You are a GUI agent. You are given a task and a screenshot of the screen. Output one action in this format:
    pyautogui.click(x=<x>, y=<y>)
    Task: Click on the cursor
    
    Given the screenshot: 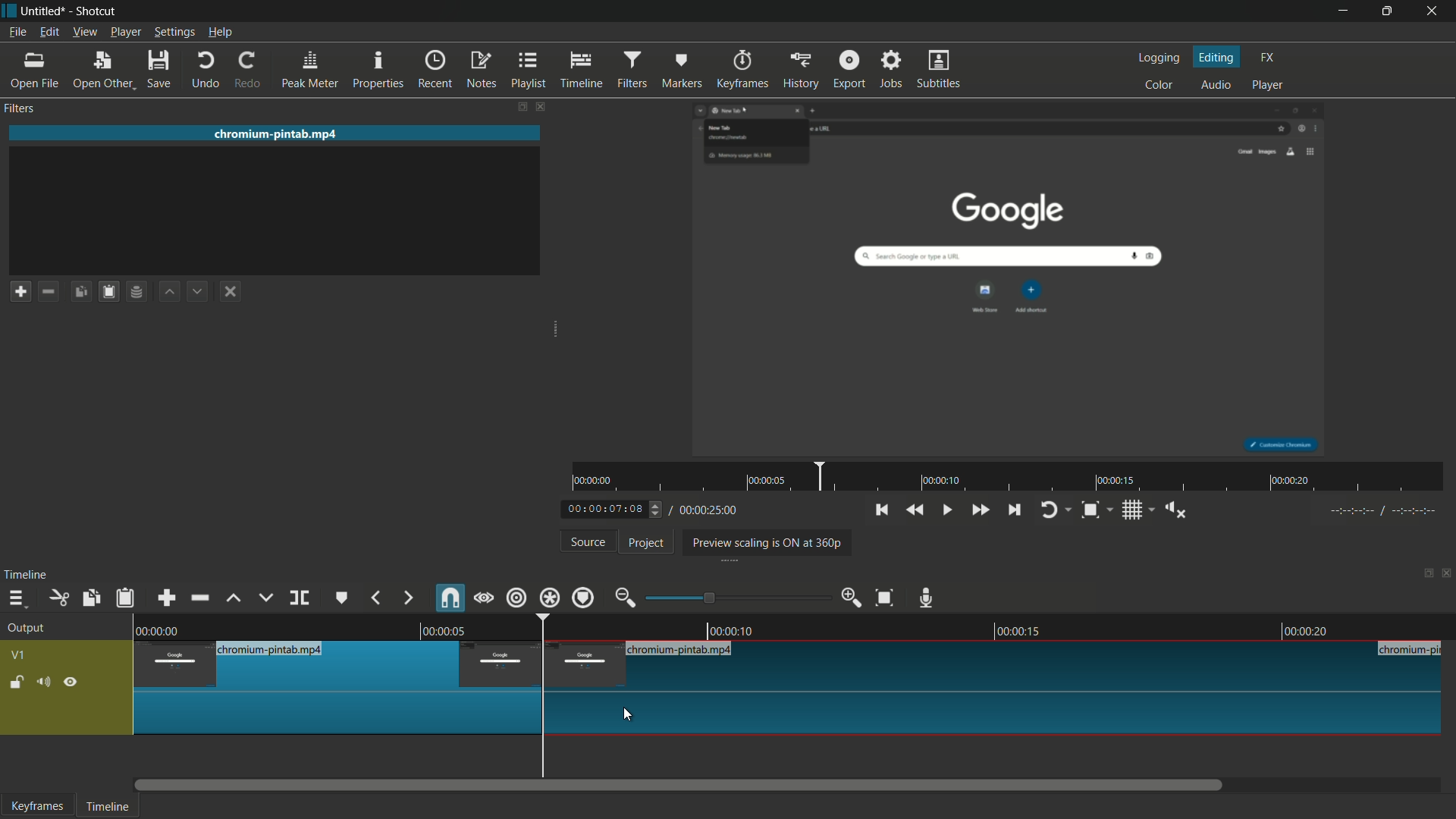 What is the action you would take?
    pyautogui.click(x=626, y=714)
    